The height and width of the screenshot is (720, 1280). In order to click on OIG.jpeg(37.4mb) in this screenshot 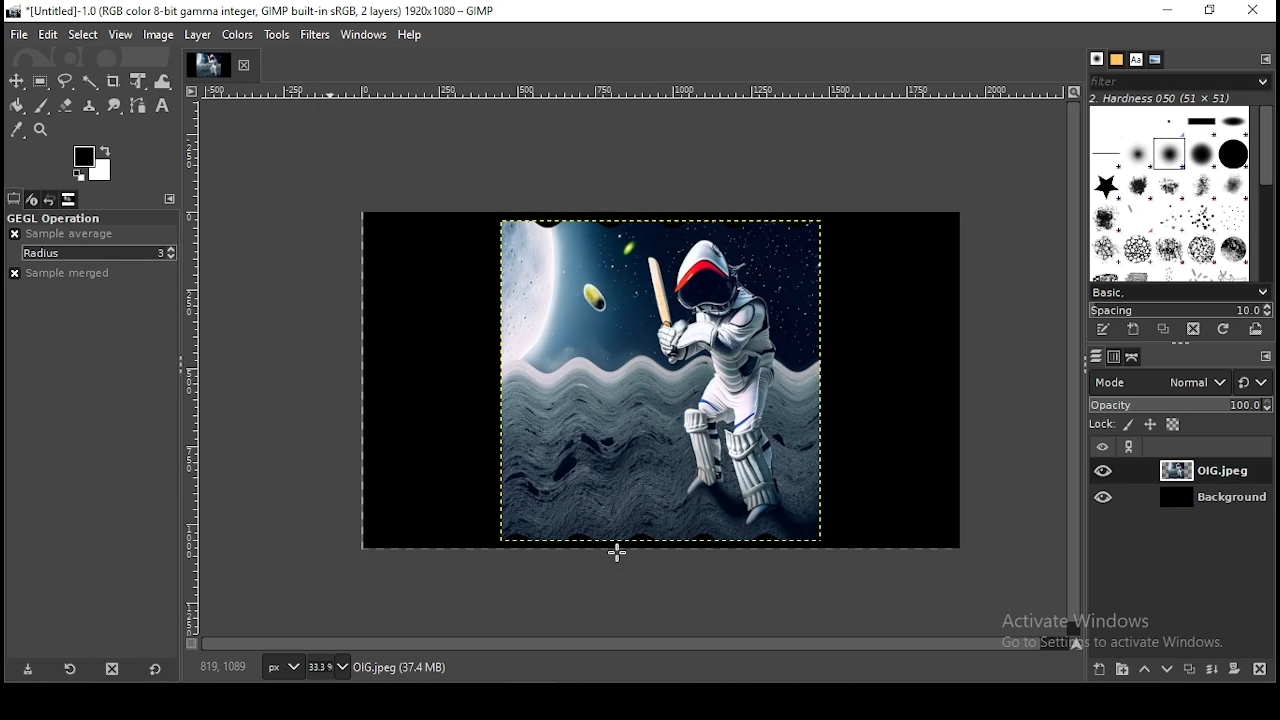, I will do `click(399, 671)`.